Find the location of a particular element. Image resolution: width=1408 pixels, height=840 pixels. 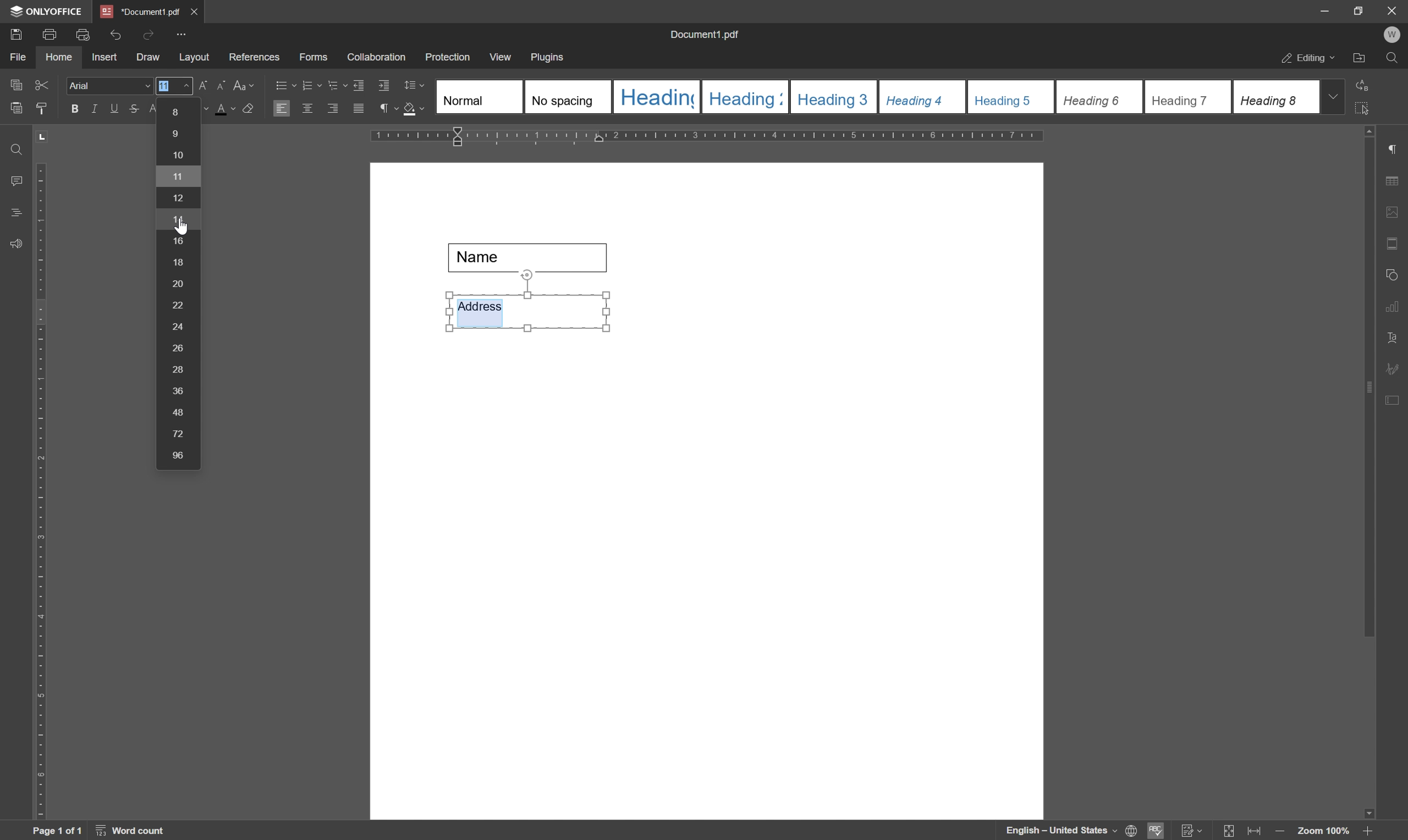

pointer cursor is located at coordinates (180, 229).